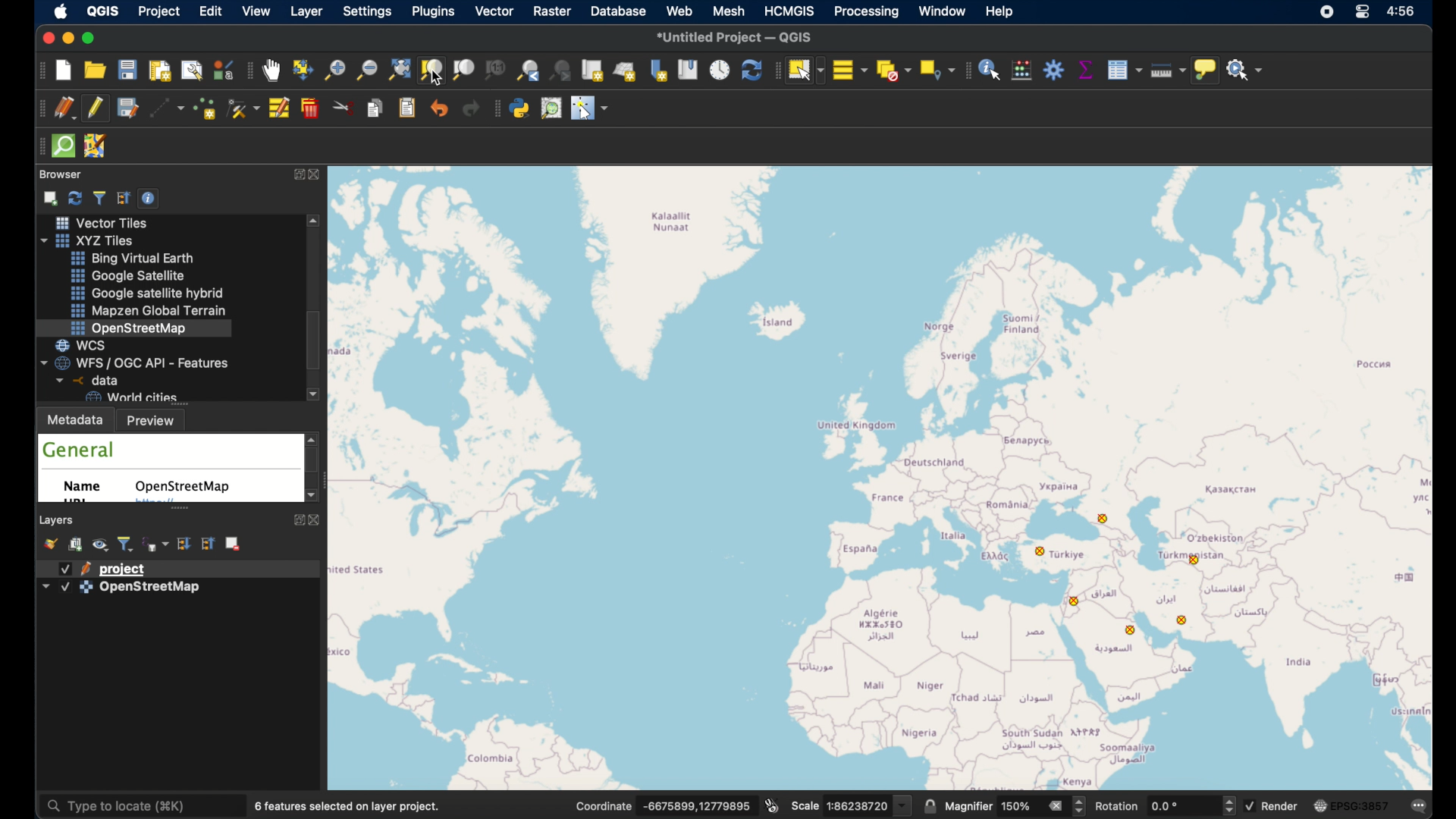 This screenshot has height=819, width=1456. Describe the element at coordinates (1103, 519) in the screenshot. I see `point feature` at that location.